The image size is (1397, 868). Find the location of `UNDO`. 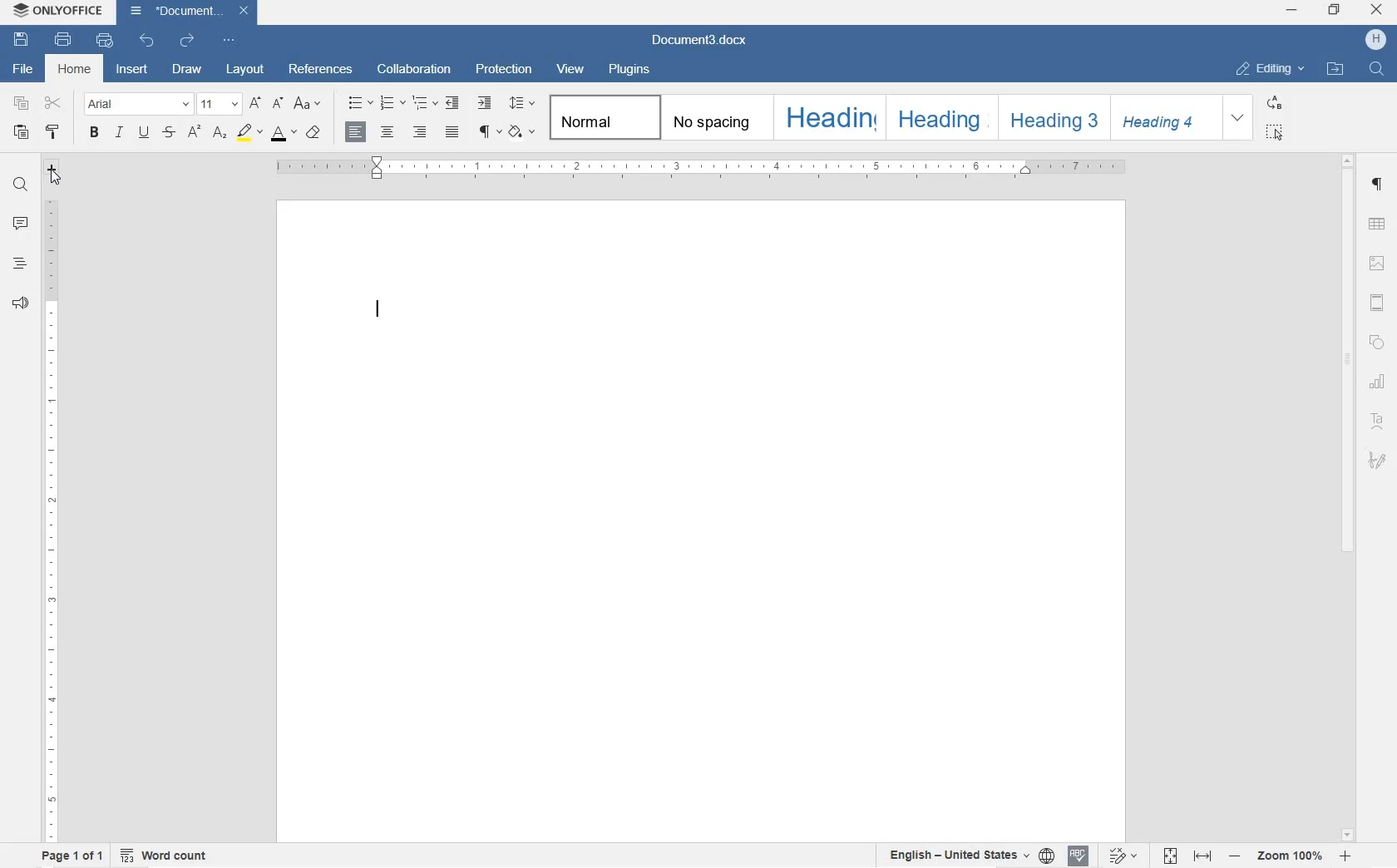

UNDO is located at coordinates (147, 41).